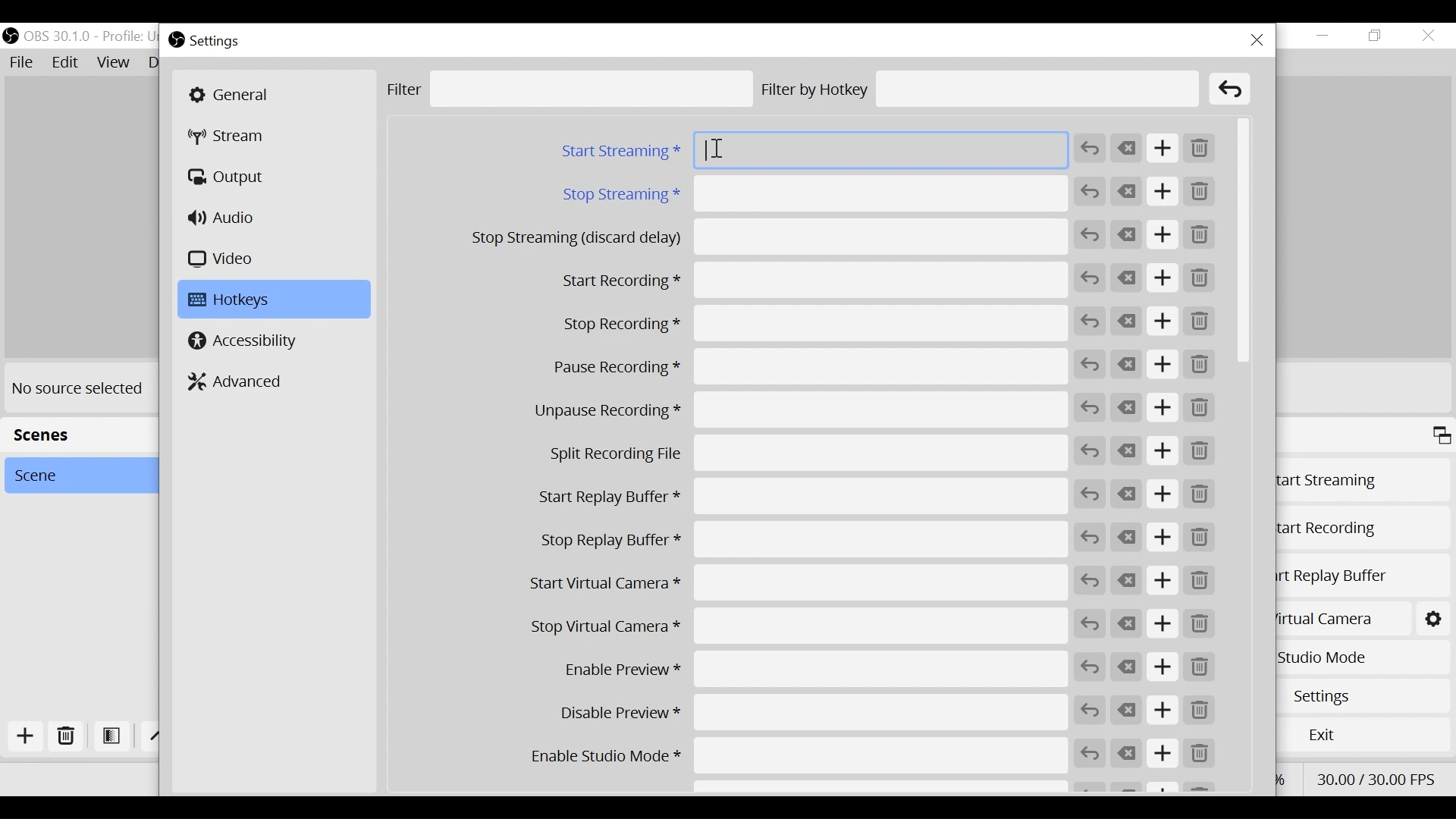  I want to click on Revert, so click(1090, 538).